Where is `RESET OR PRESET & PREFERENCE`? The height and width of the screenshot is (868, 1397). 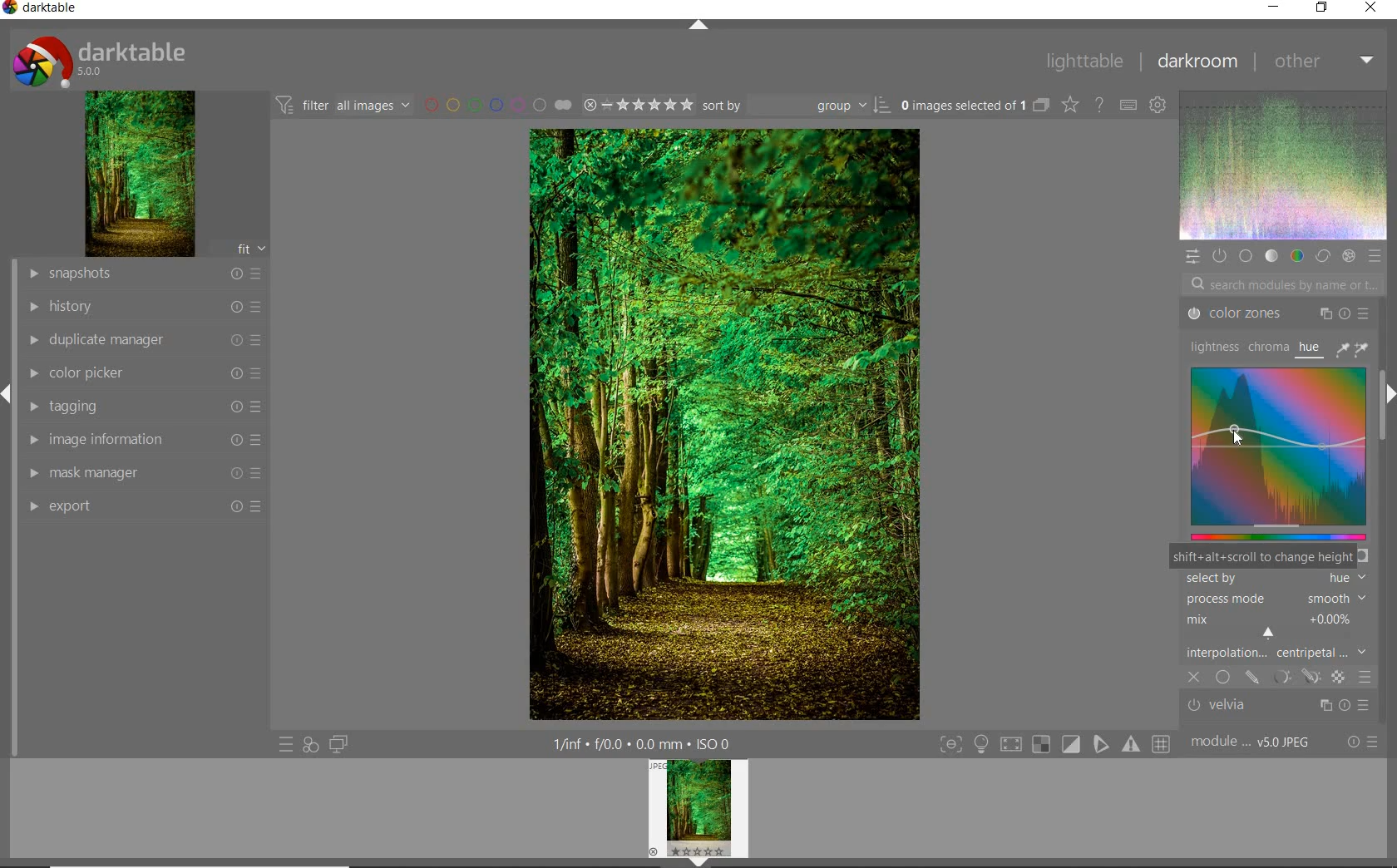 RESET OR PRESET & PREFERENCE is located at coordinates (1363, 742).